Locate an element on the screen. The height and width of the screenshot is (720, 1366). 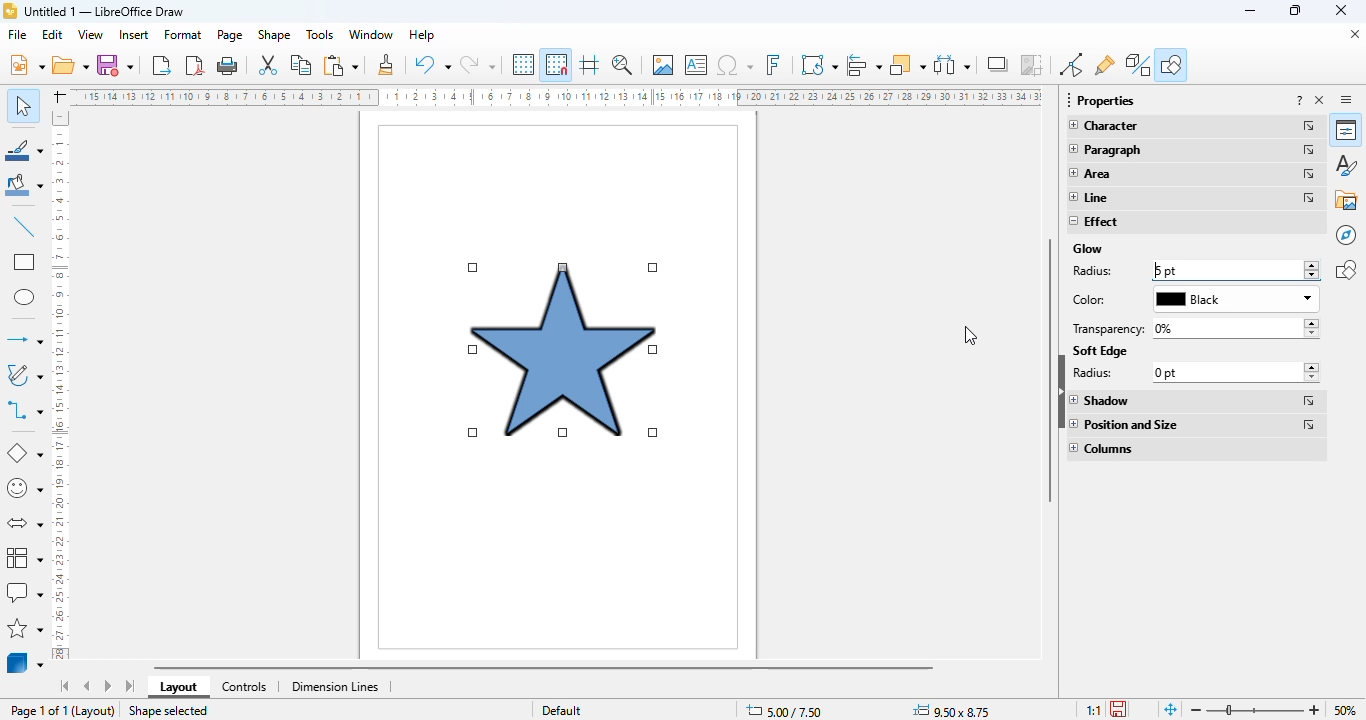
more options is located at coordinates (1310, 175).